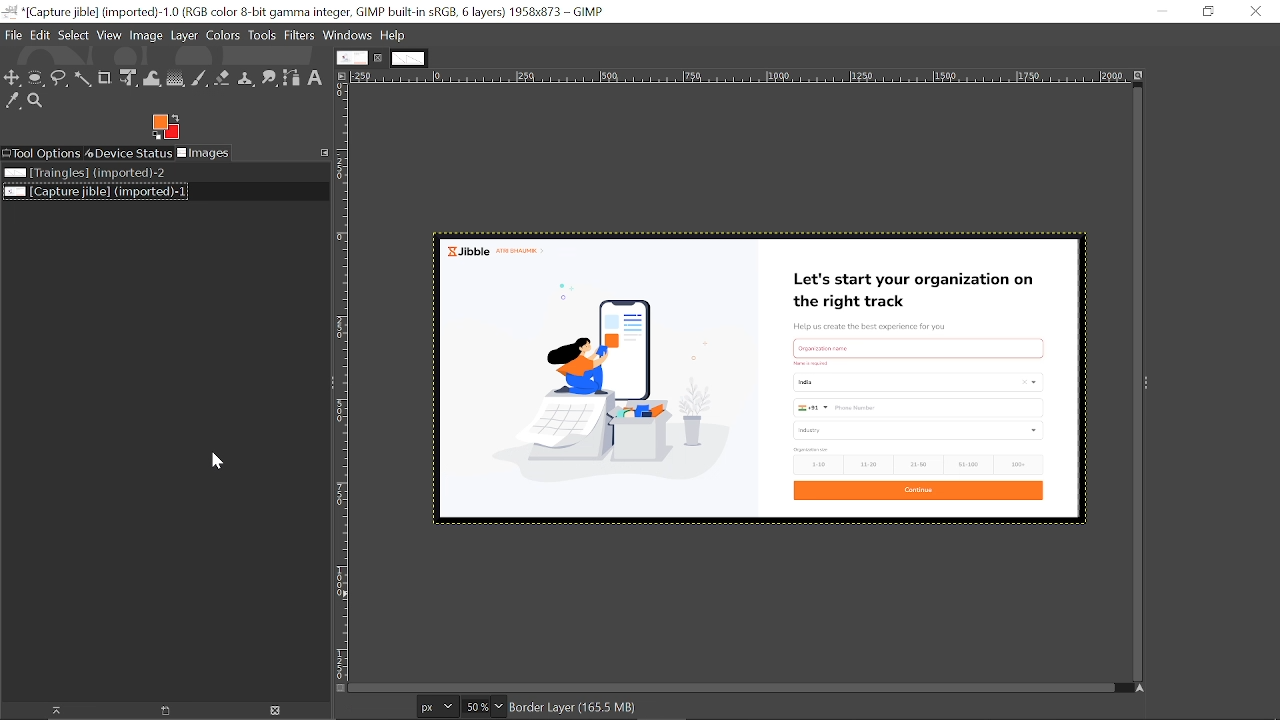  Describe the element at coordinates (1024, 465) in the screenshot. I see `100+` at that location.